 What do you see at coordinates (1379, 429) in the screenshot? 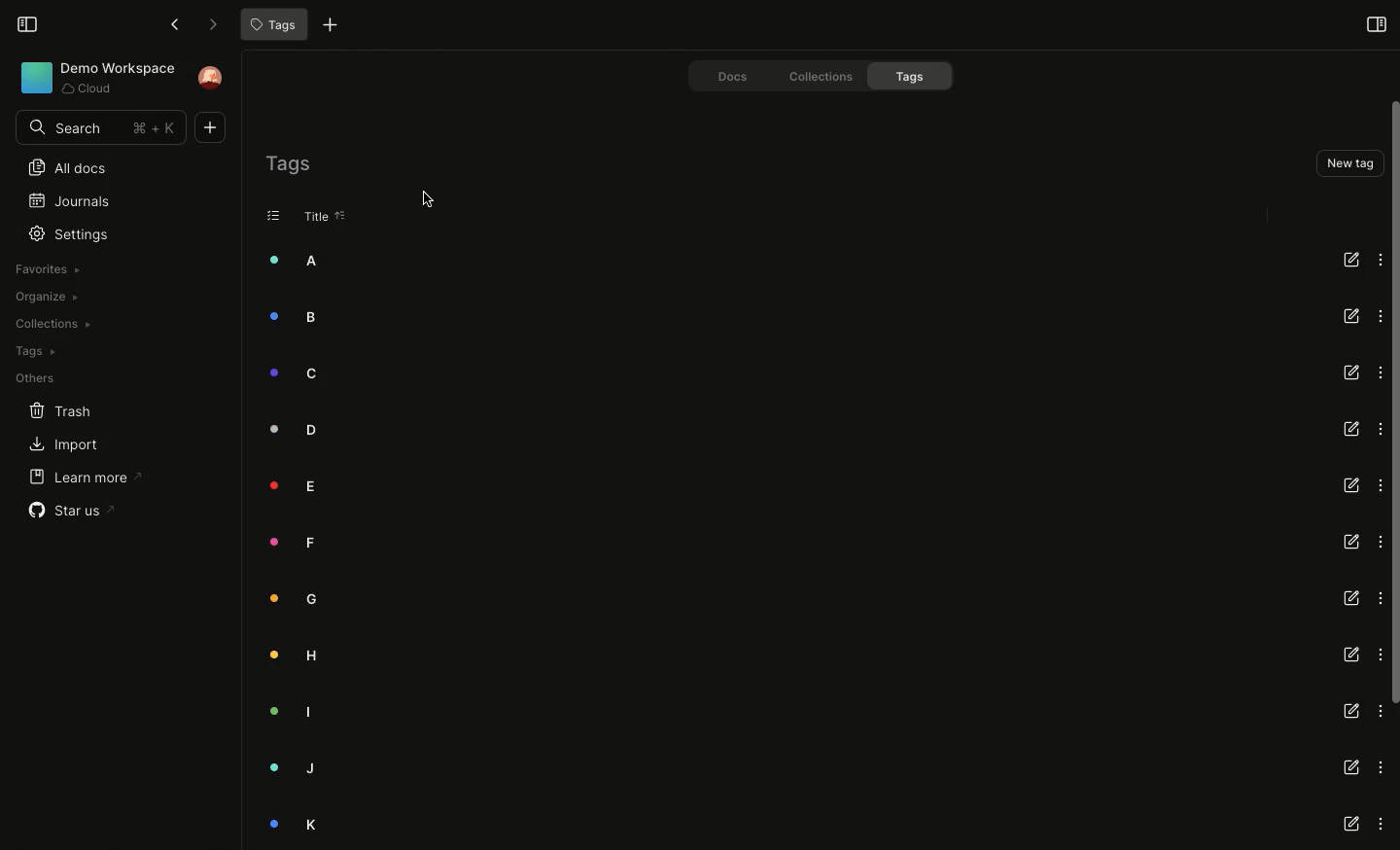
I see `Options` at bounding box center [1379, 429].